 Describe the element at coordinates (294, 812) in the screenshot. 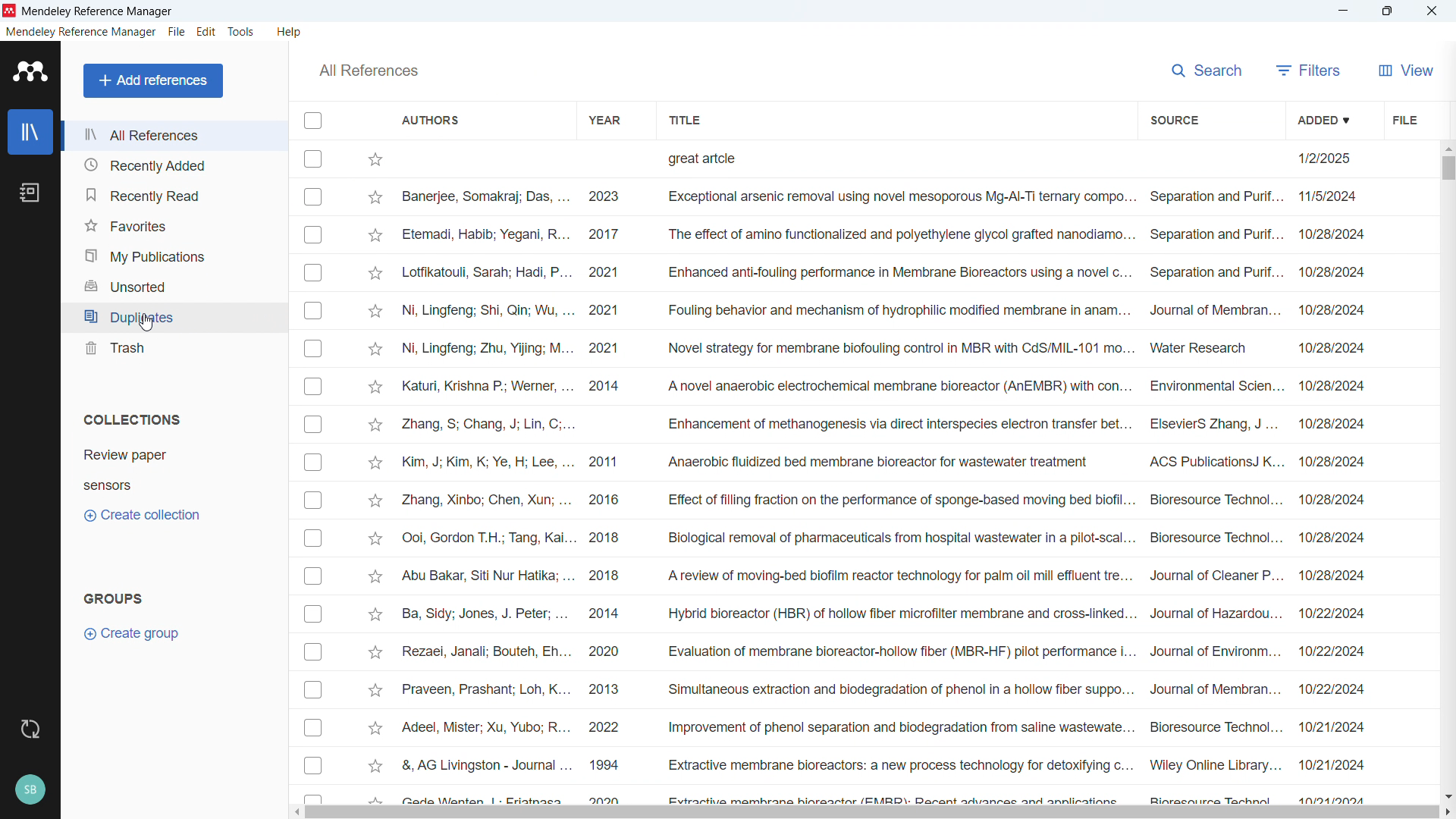

I see `Scroll right ` at that location.